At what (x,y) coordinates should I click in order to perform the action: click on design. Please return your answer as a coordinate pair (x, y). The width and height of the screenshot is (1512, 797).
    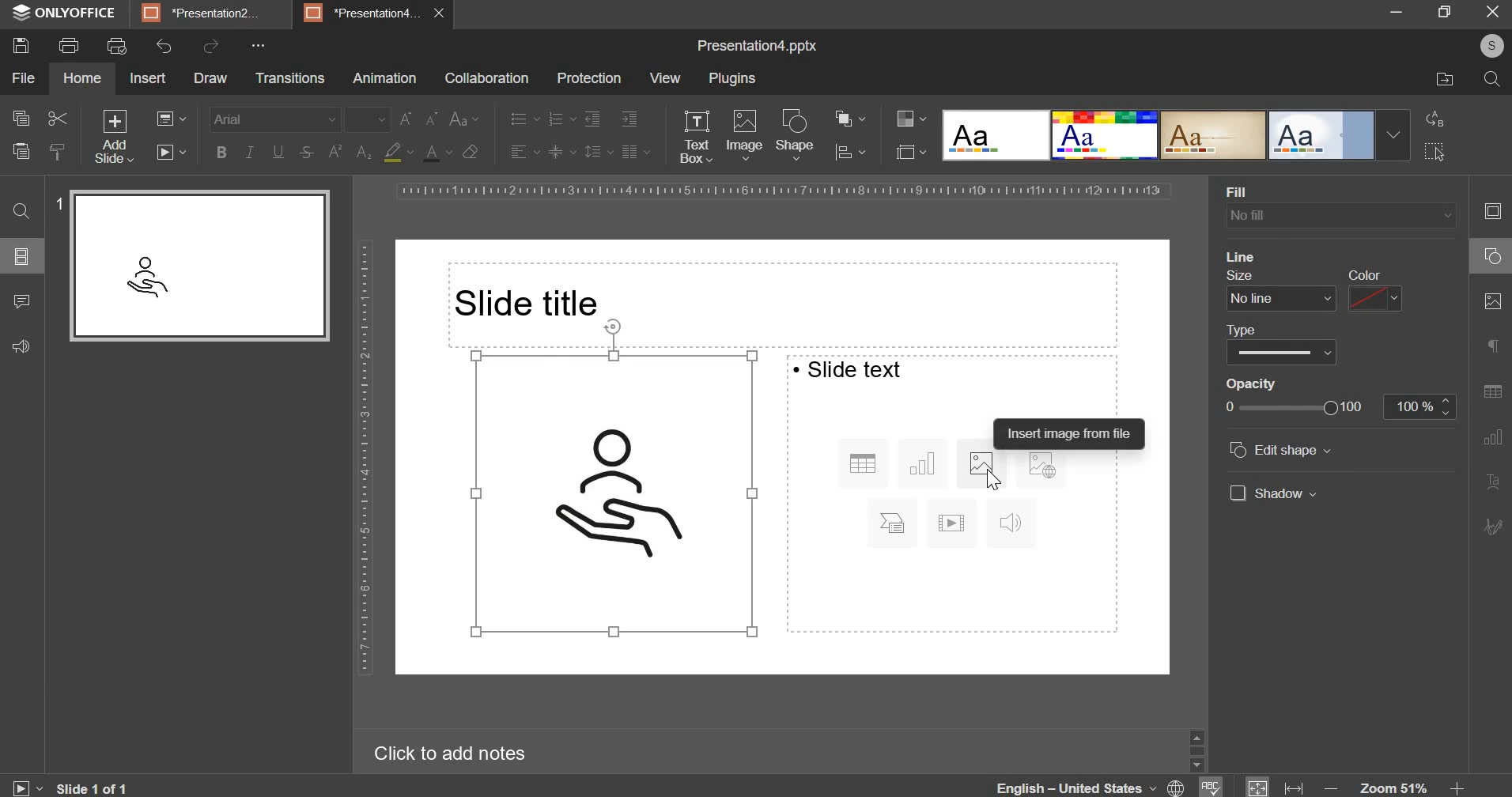
    Looking at the image, I should click on (1106, 136).